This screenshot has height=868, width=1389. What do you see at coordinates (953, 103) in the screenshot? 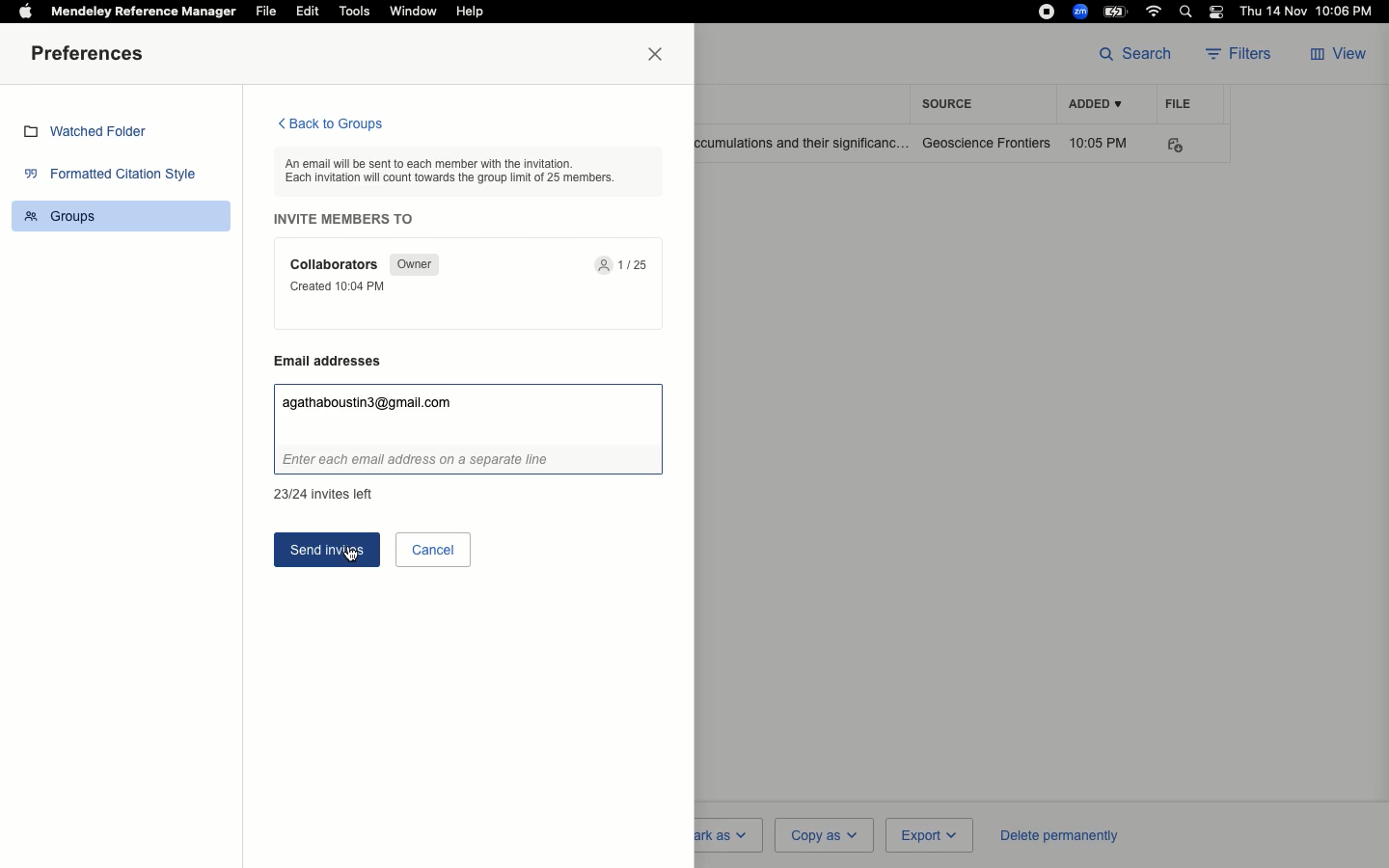
I see `Source` at bounding box center [953, 103].